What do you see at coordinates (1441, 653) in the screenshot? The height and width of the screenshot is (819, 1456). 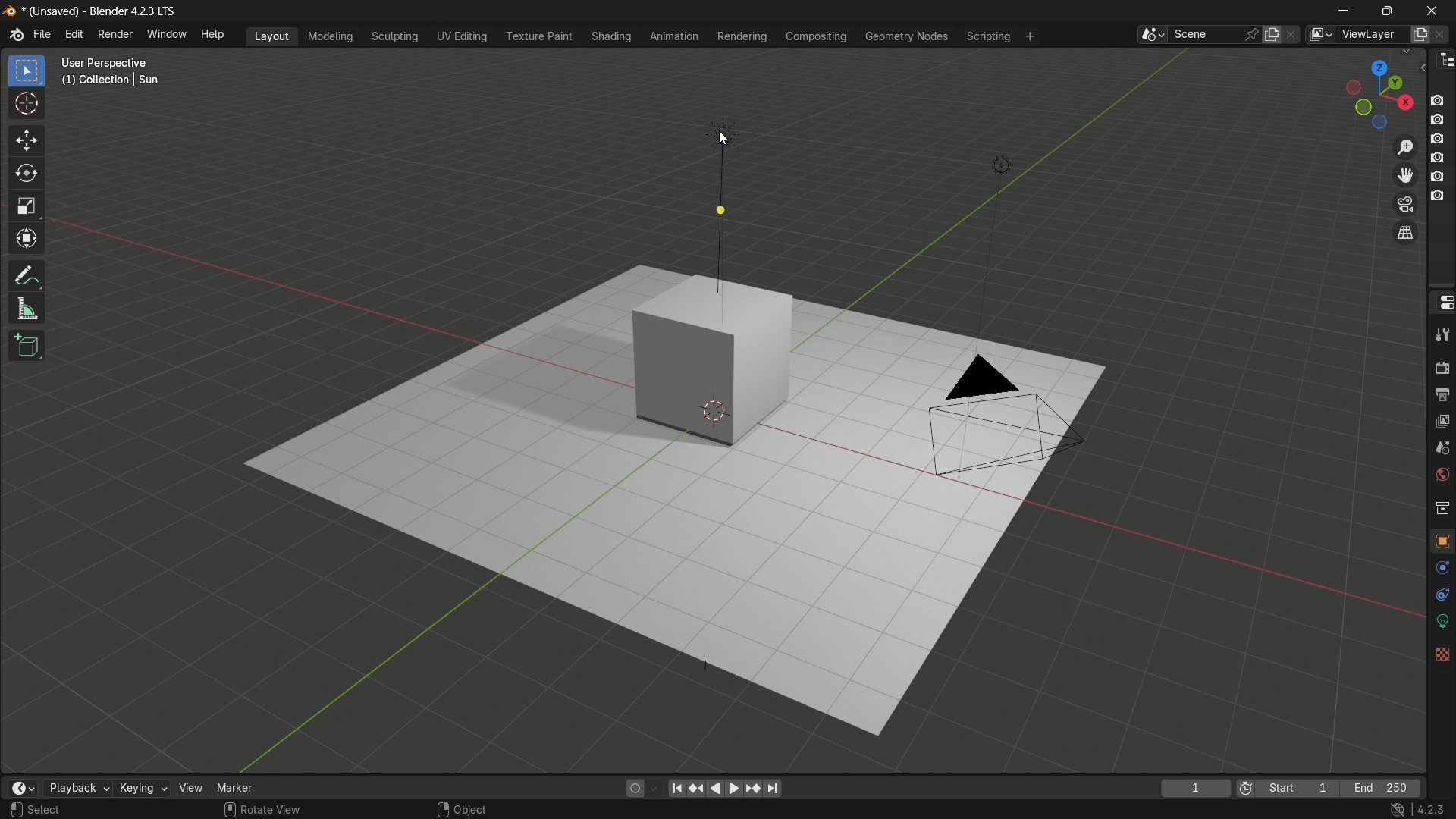 I see `textures` at bounding box center [1441, 653].